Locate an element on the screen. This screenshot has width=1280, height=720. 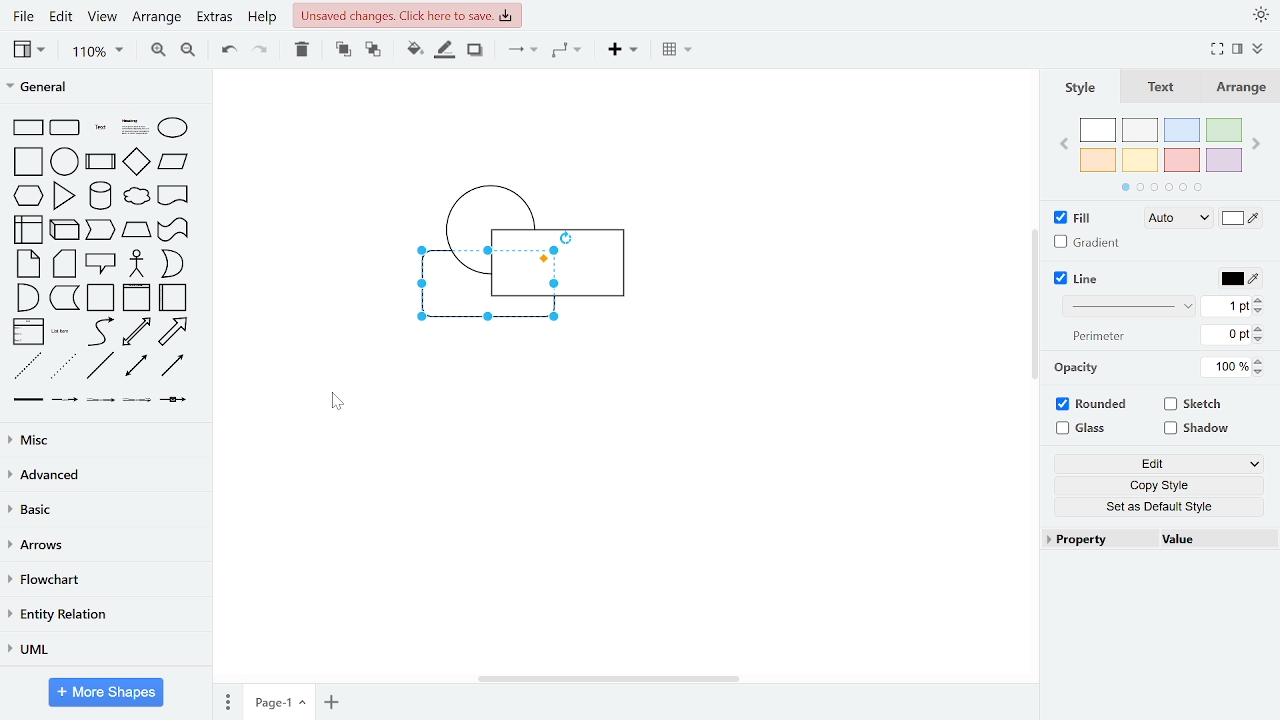
circle is located at coordinates (65, 163).